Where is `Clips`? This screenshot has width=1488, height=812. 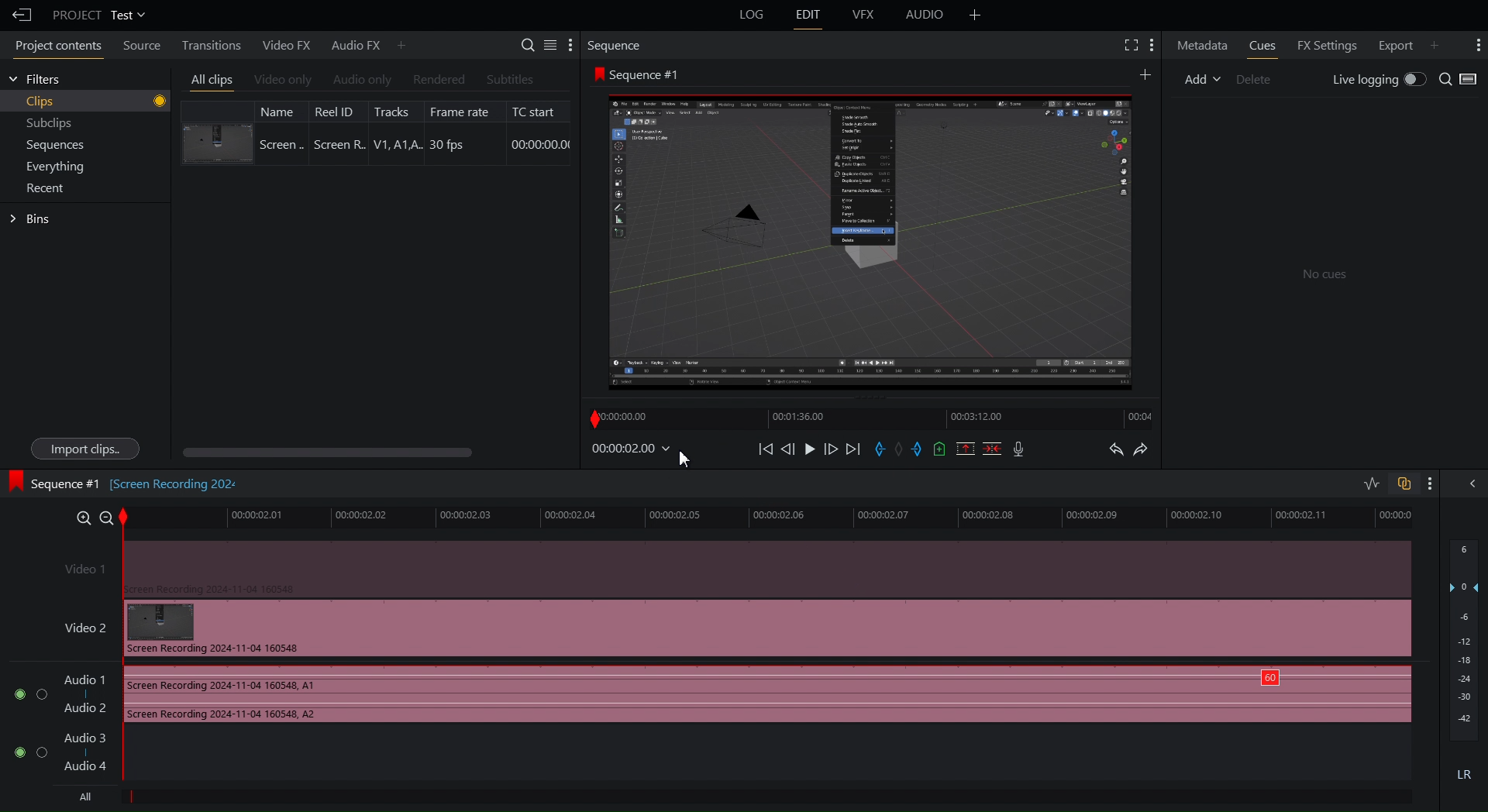 Clips is located at coordinates (96, 101).